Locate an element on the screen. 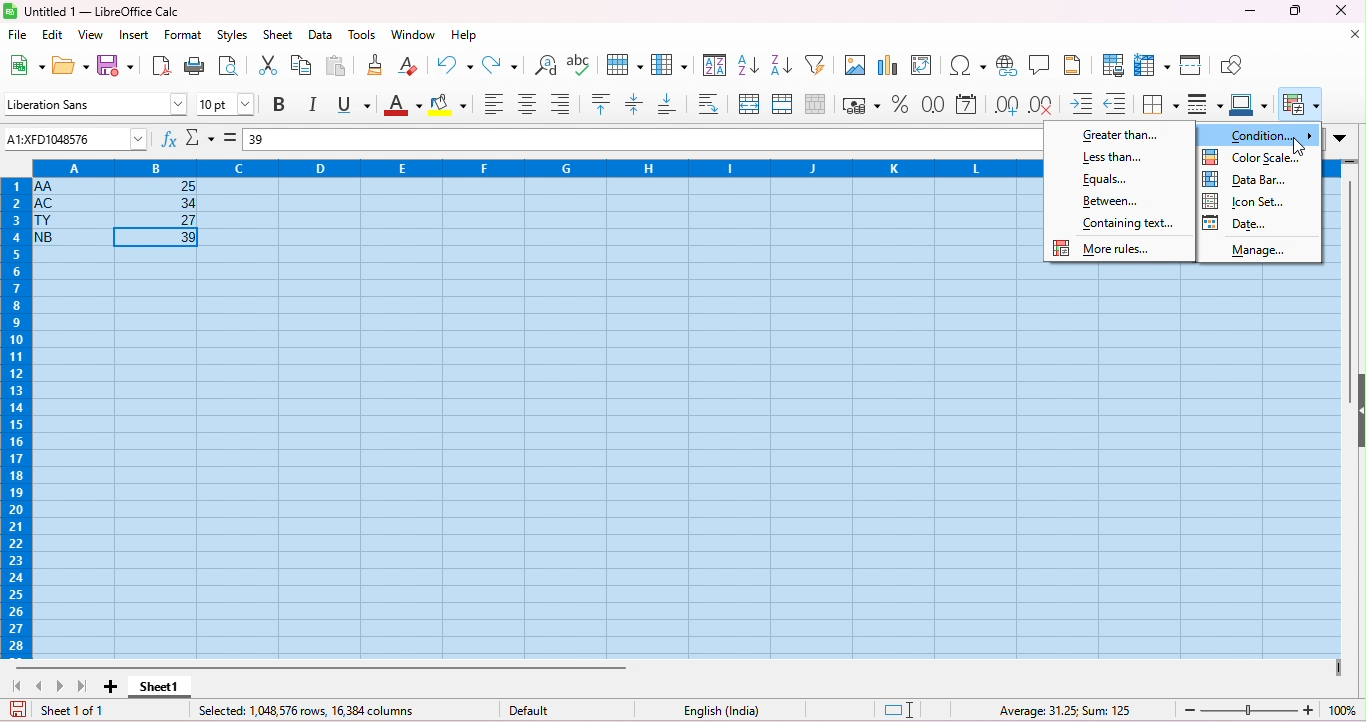 The height and width of the screenshot is (722, 1366). font size is located at coordinates (226, 104).